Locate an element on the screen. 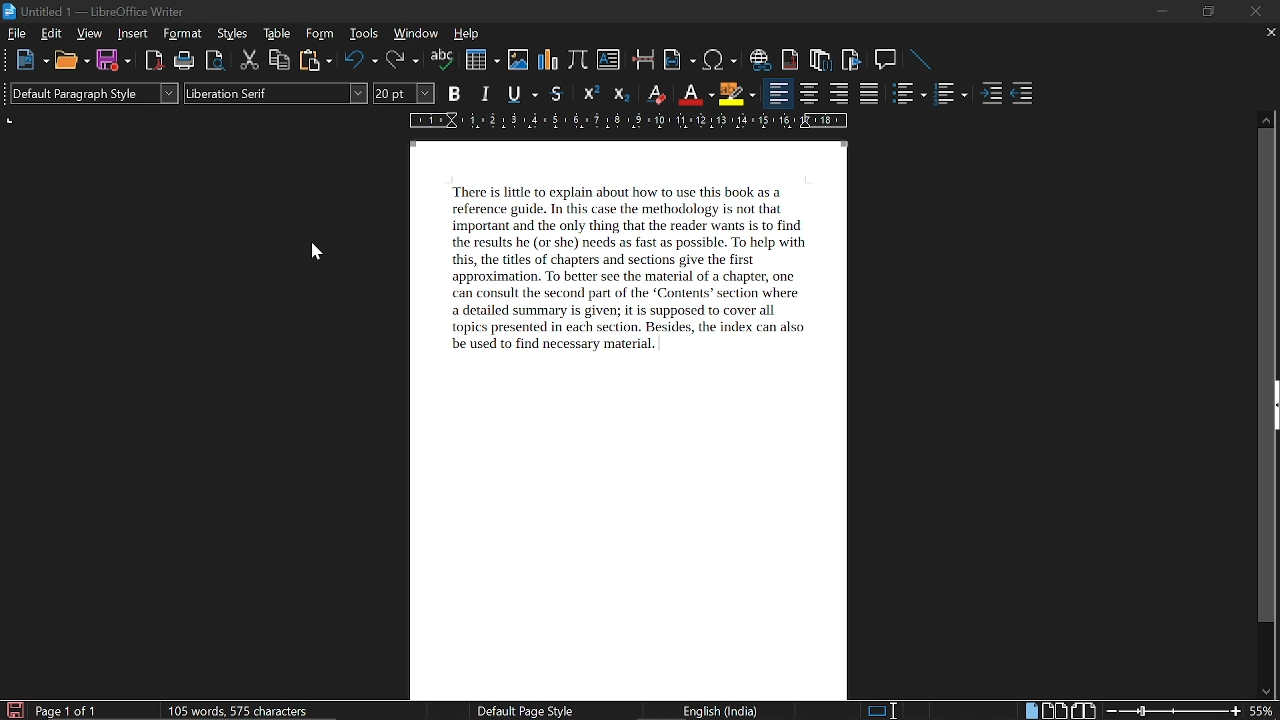  cut is located at coordinates (250, 61).